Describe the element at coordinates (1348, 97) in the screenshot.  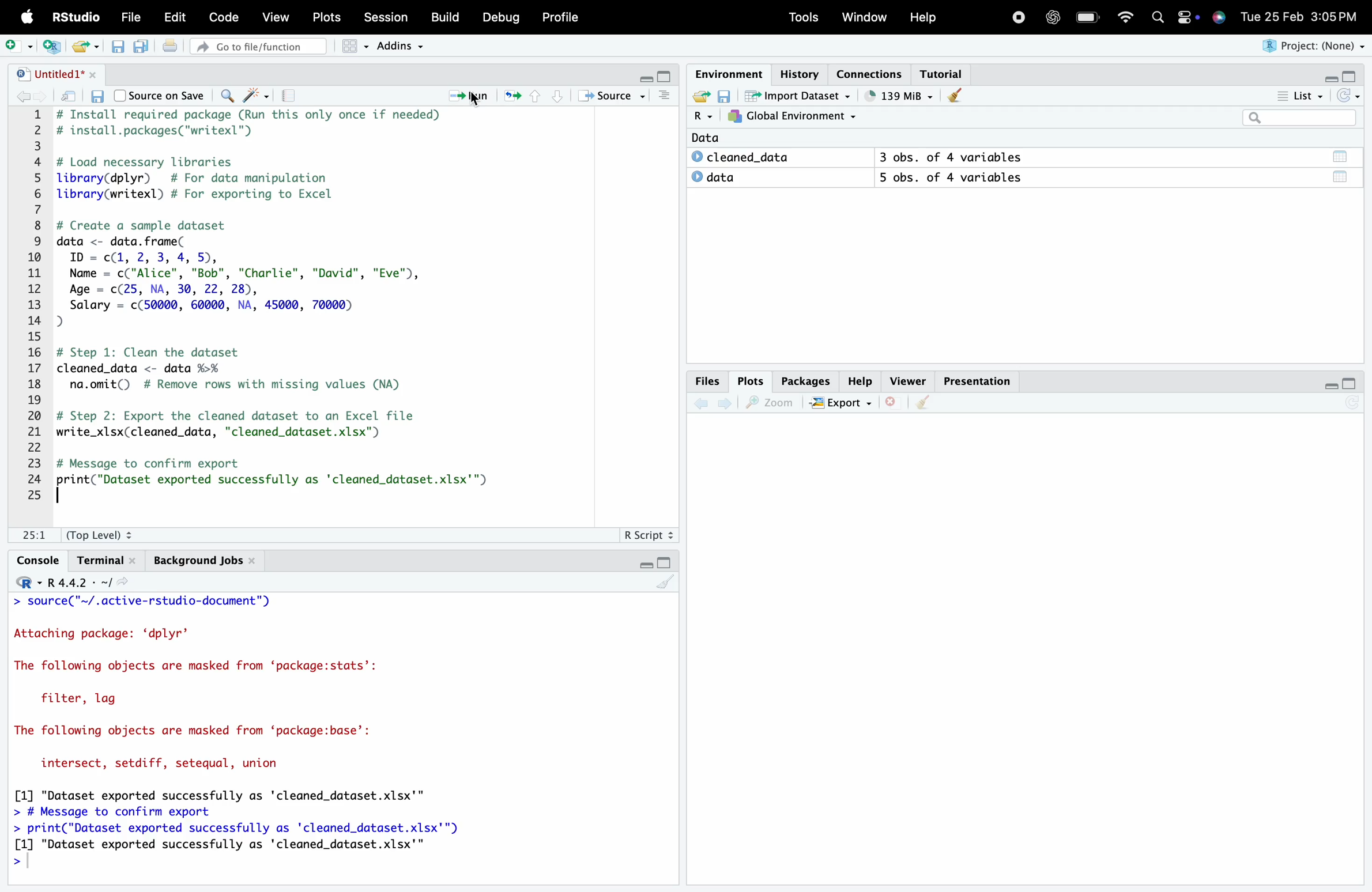
I see `Refresh the list of objects in the environment` at that location.